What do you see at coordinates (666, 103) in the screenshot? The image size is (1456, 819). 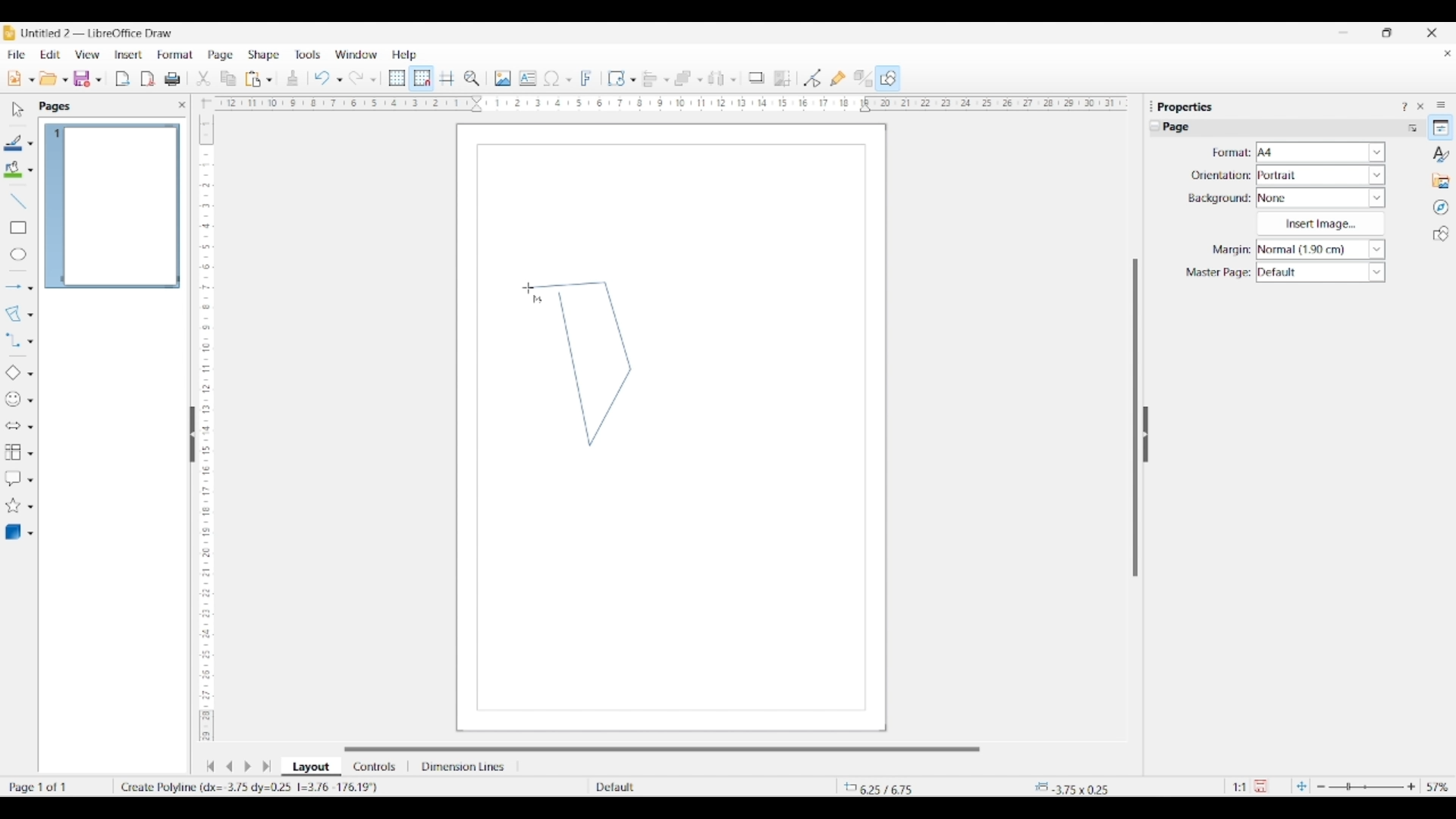 I see `Horizontal ruler` at bounding box center [666, 103].